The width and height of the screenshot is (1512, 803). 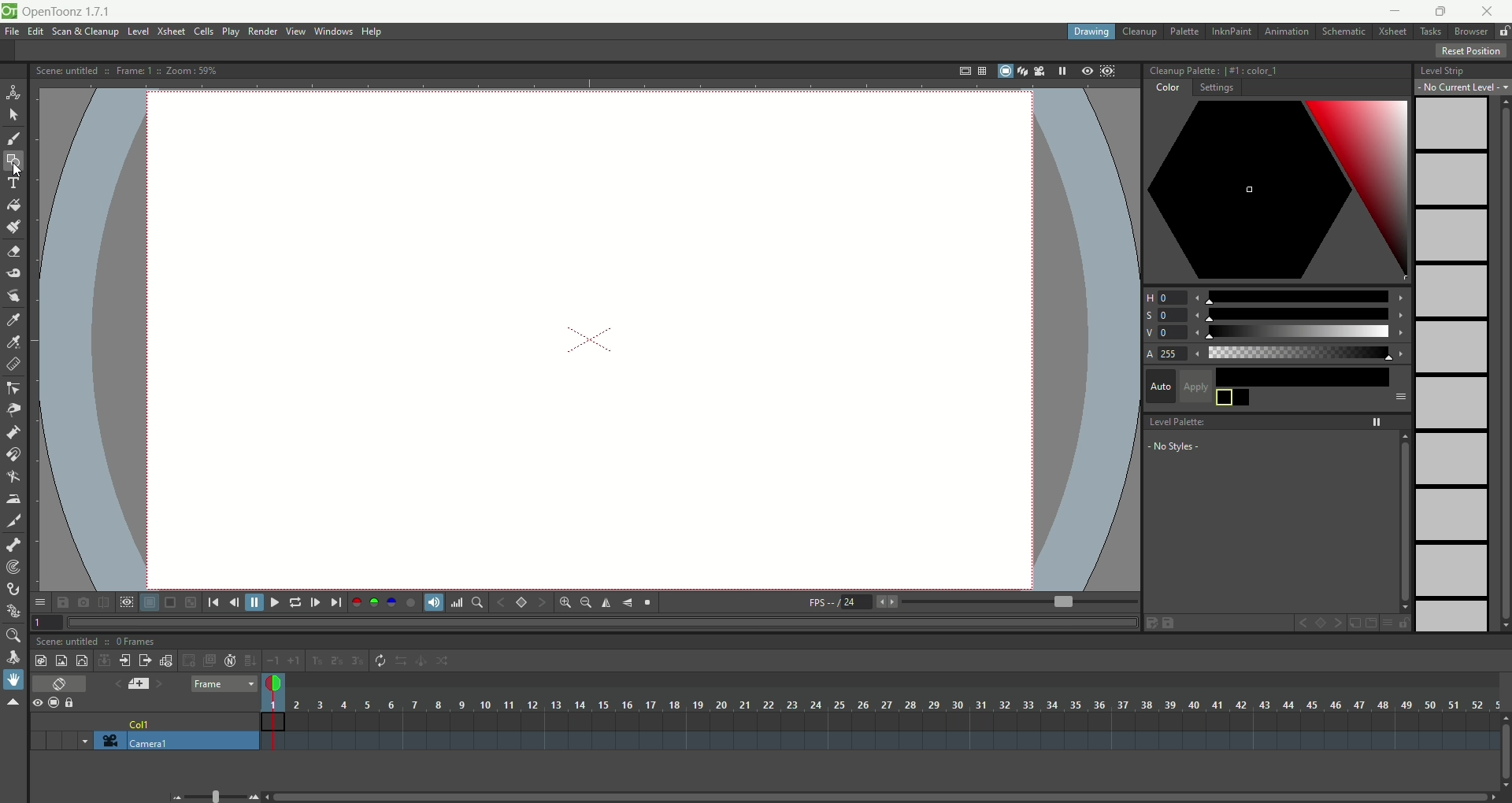 I want to click on snapchat, so click(x=83, y=602).